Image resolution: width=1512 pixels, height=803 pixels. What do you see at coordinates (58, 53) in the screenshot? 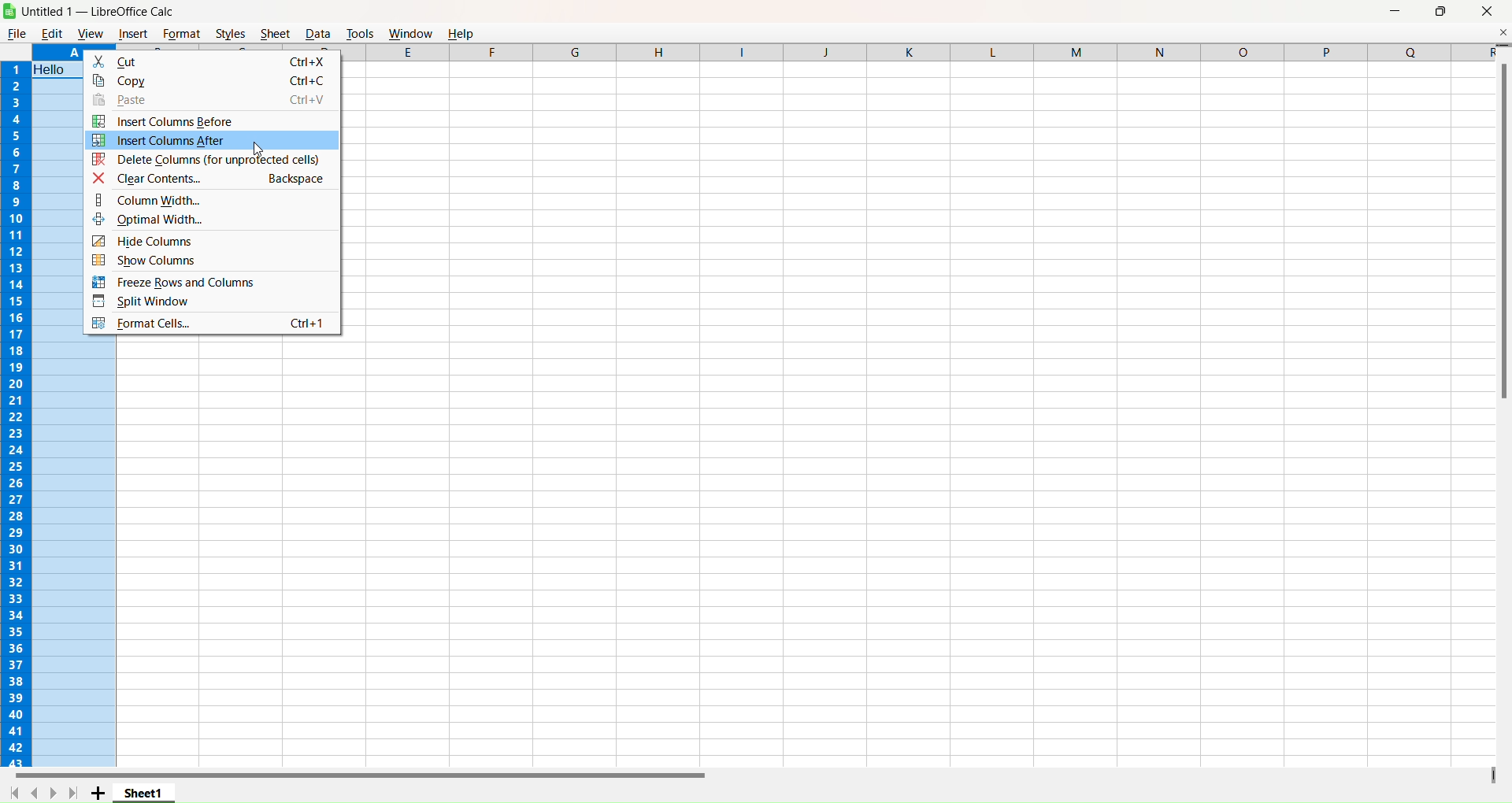
I see `column A selected` at bounding box center [58, 53].